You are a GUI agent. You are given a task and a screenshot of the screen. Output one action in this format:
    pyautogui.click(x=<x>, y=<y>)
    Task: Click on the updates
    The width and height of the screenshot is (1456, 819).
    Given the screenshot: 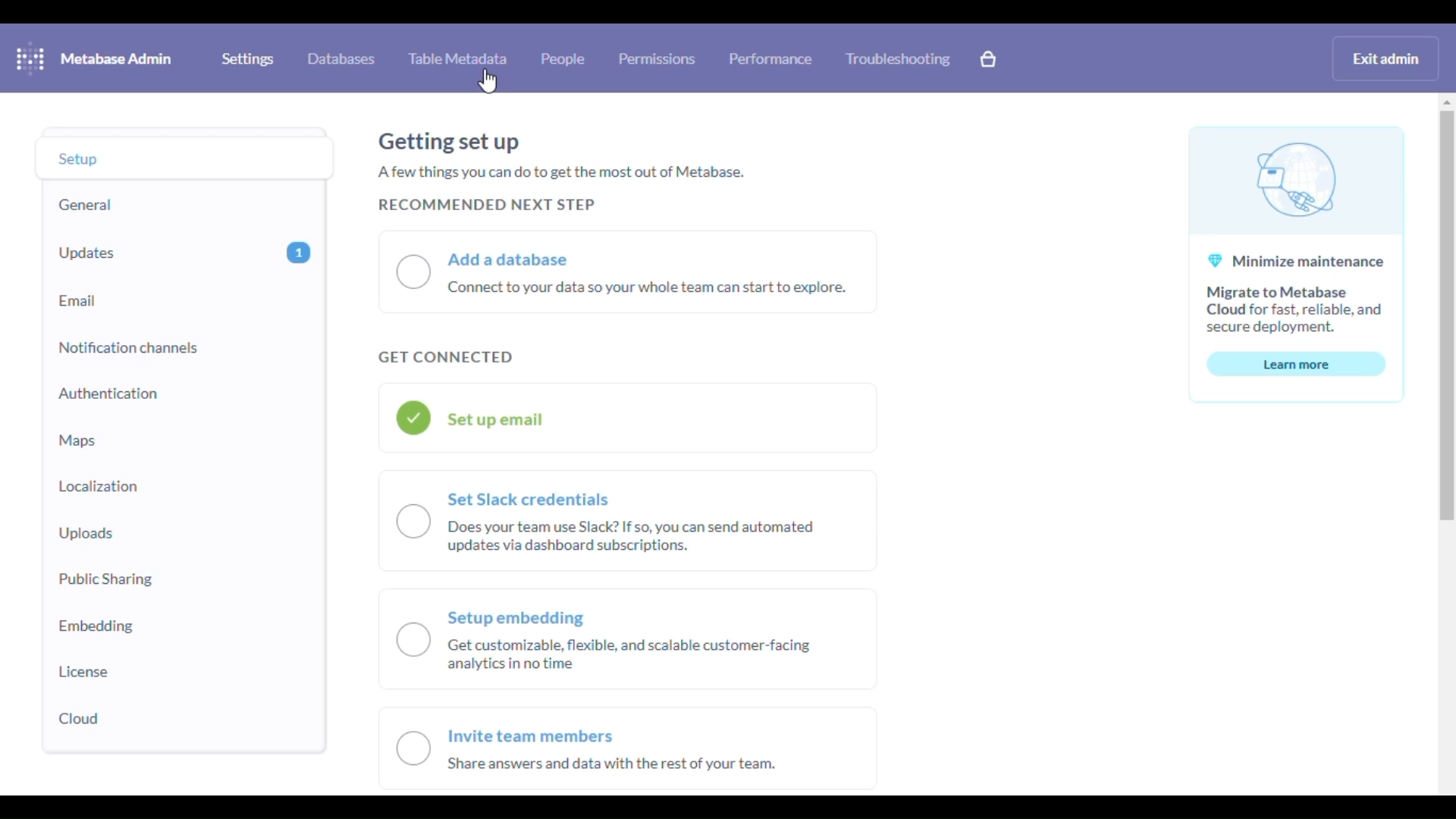 What is the action you would take?
    pyautogui.click(x=89, y=254)
    